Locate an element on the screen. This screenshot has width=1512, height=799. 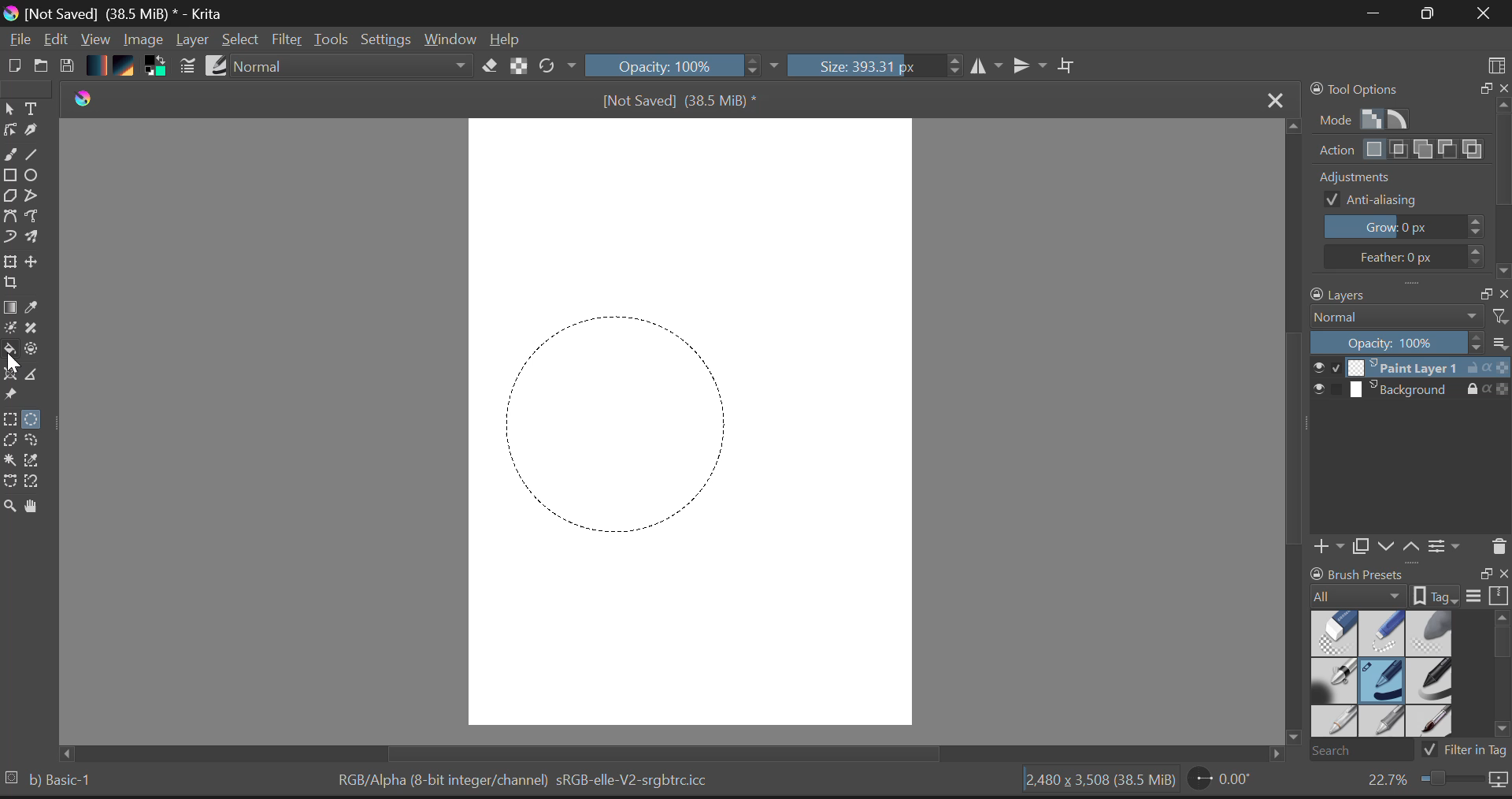
freehand curve is located at coordinates (13, 156).